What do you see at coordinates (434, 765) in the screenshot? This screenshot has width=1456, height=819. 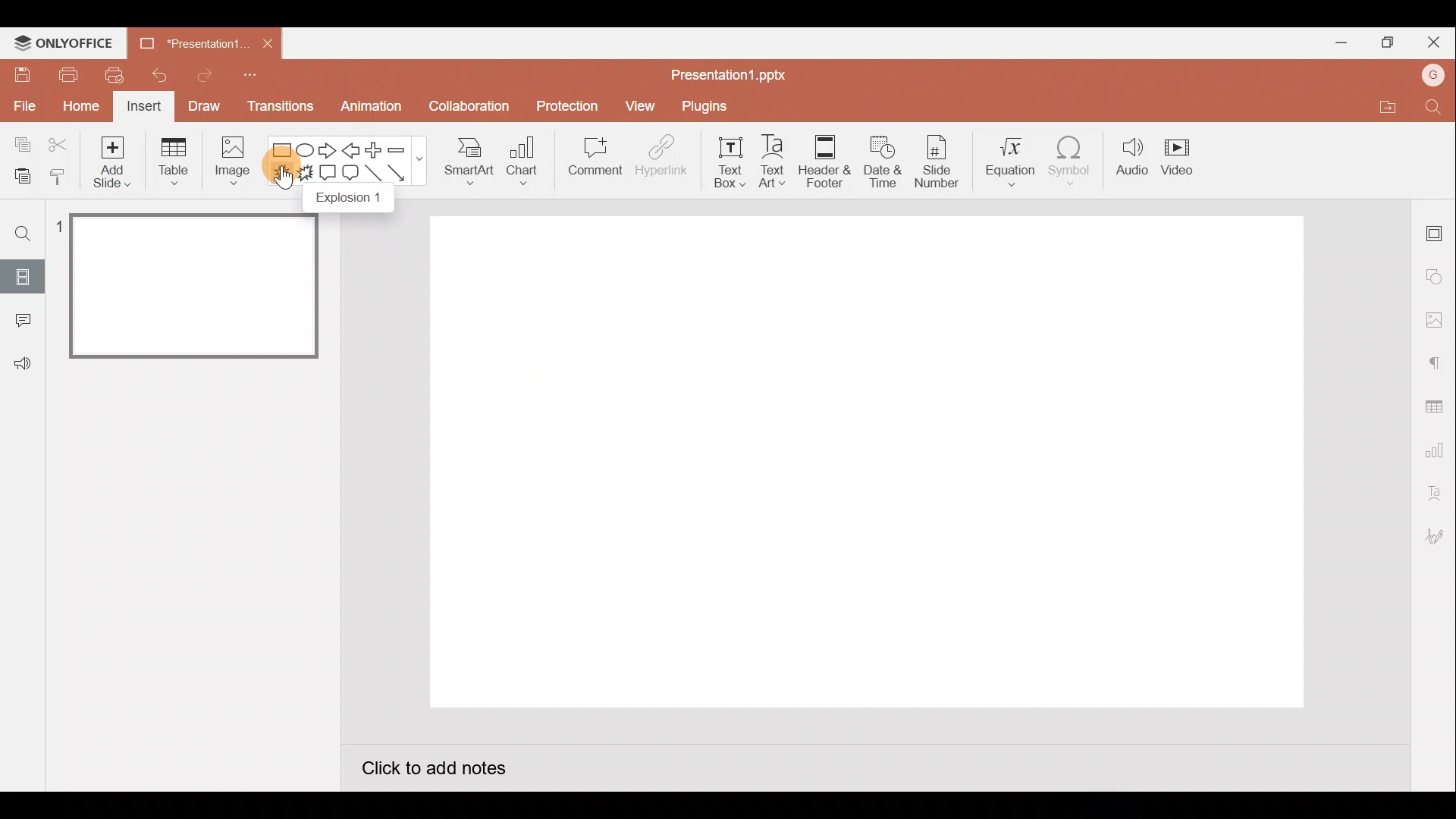 I see `Click to add notes` at bounding box center [434, 765].